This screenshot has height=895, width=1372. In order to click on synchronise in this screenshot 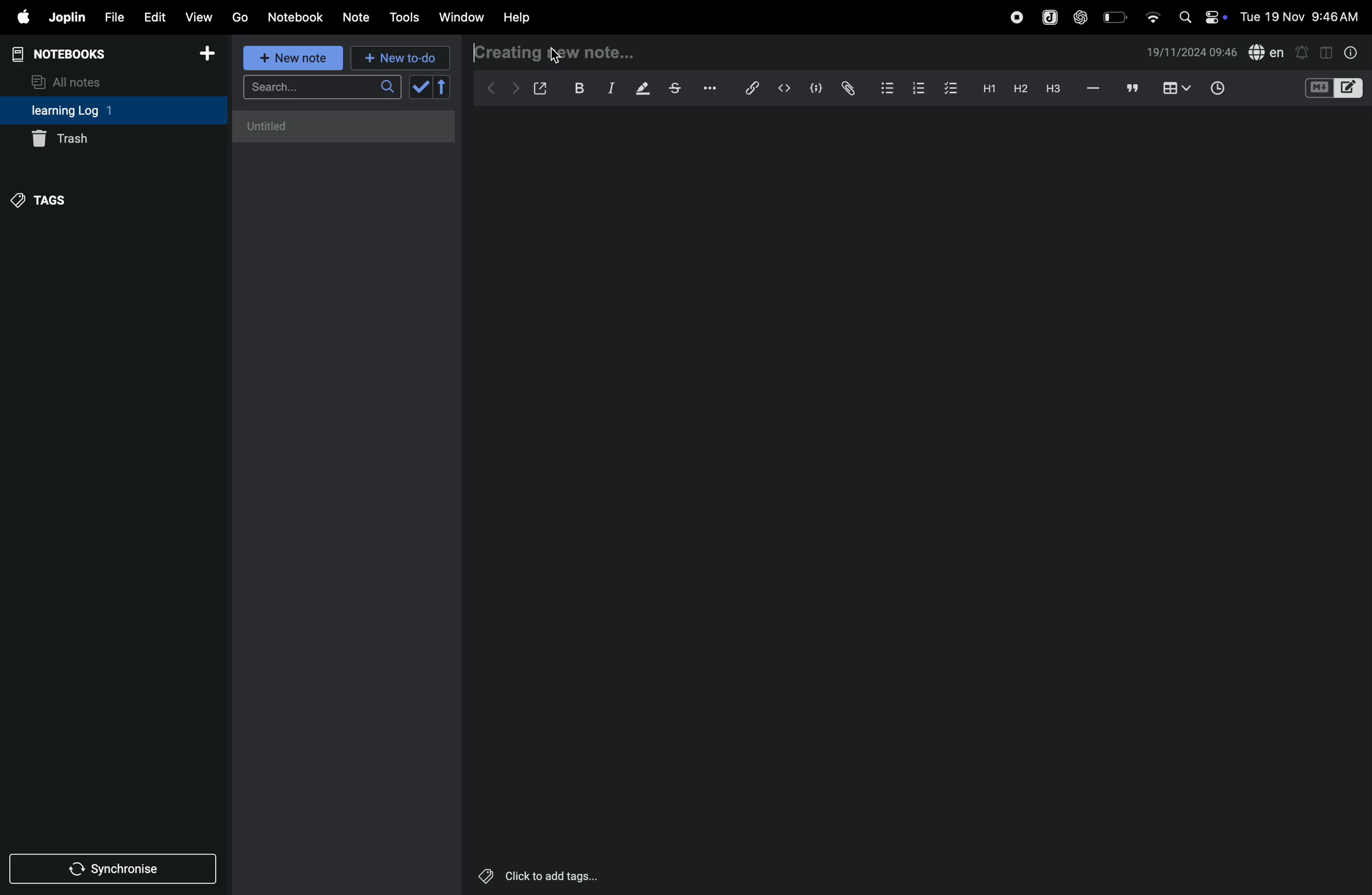, I will do `click(115, 870)`.